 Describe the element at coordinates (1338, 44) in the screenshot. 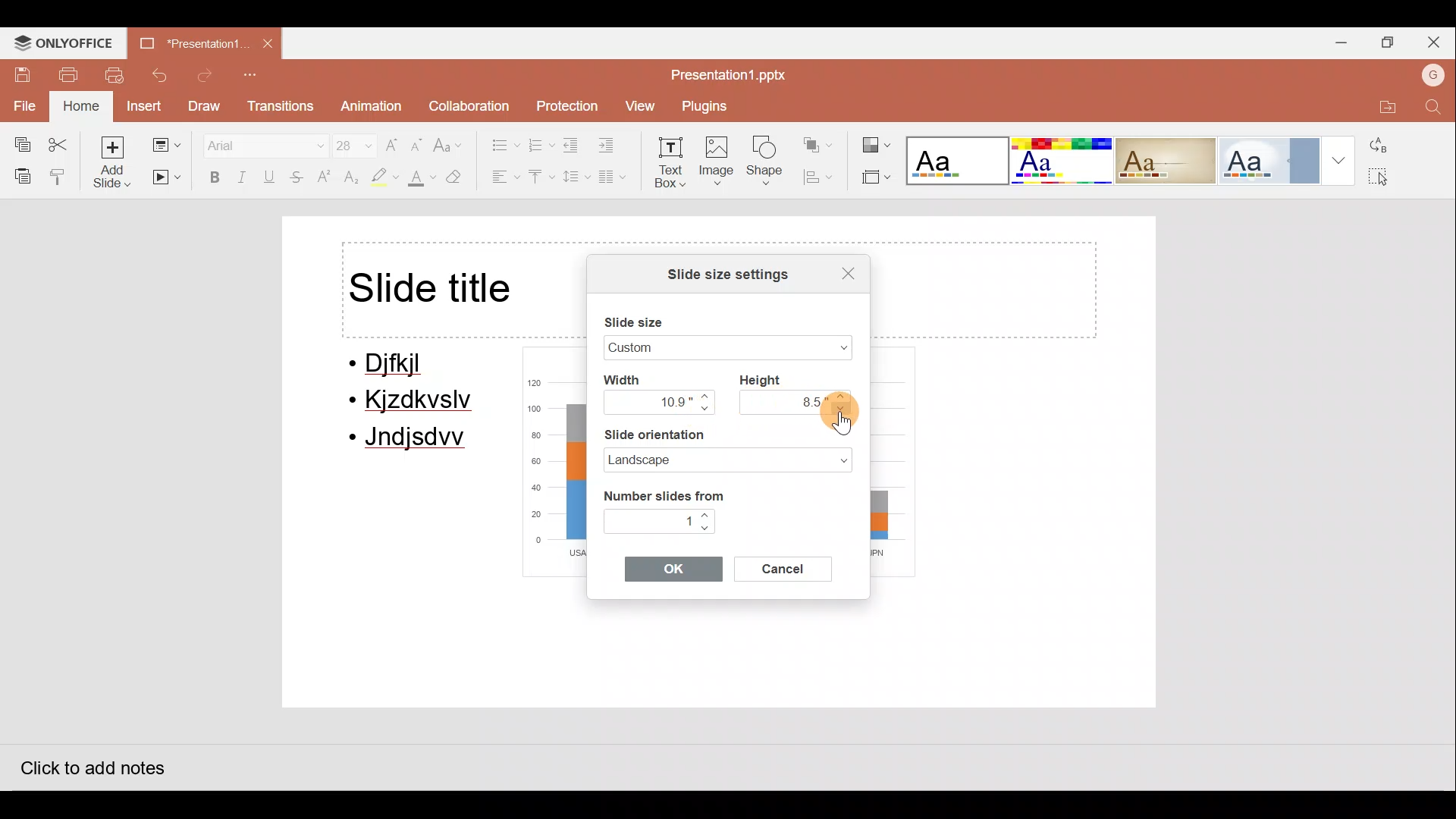

I see `Minimize` at that location.